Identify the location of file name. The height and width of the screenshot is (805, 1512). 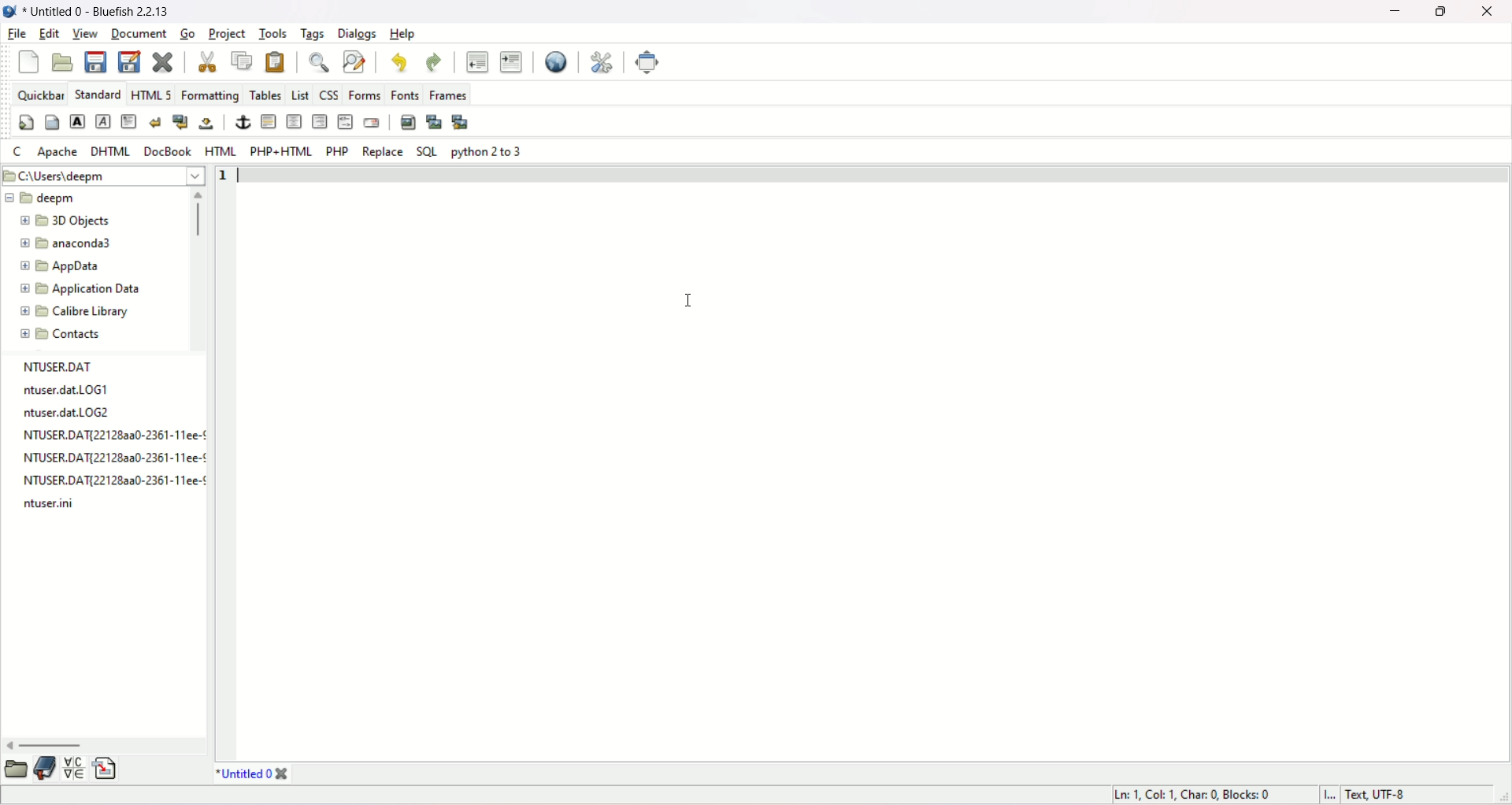
(114, 478).